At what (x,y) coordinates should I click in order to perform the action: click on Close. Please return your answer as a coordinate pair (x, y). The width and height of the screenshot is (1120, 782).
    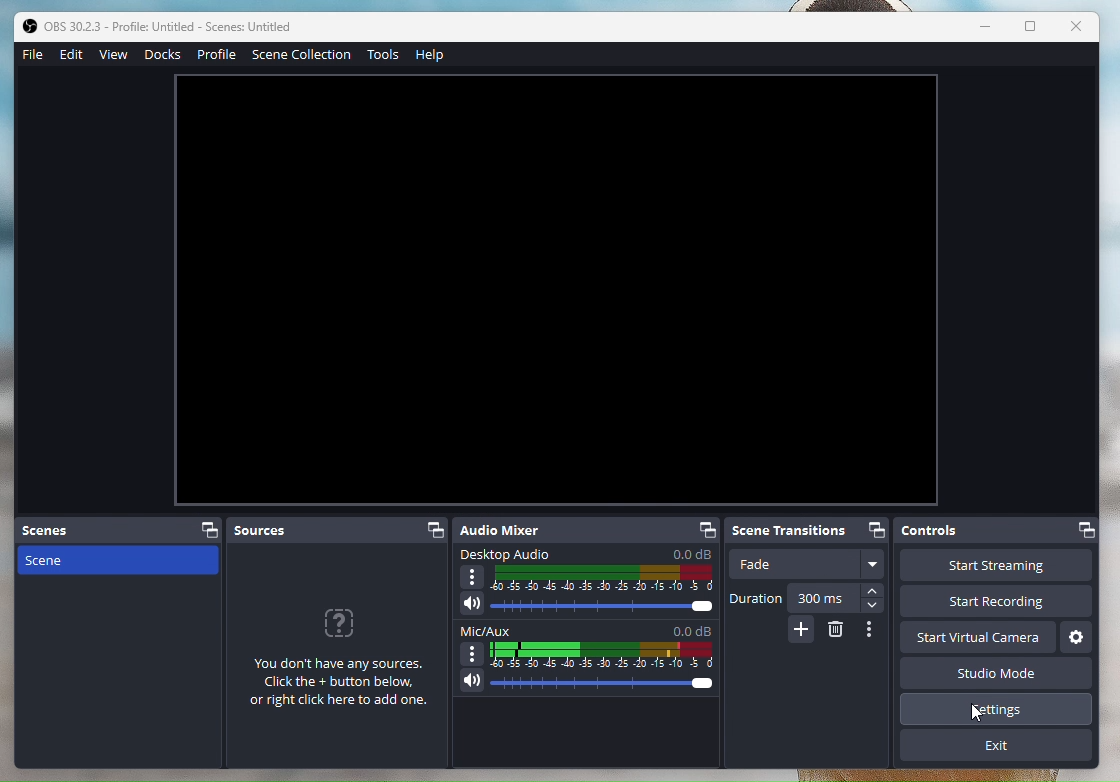
    Looking at the image, I should click on (1074, 26).